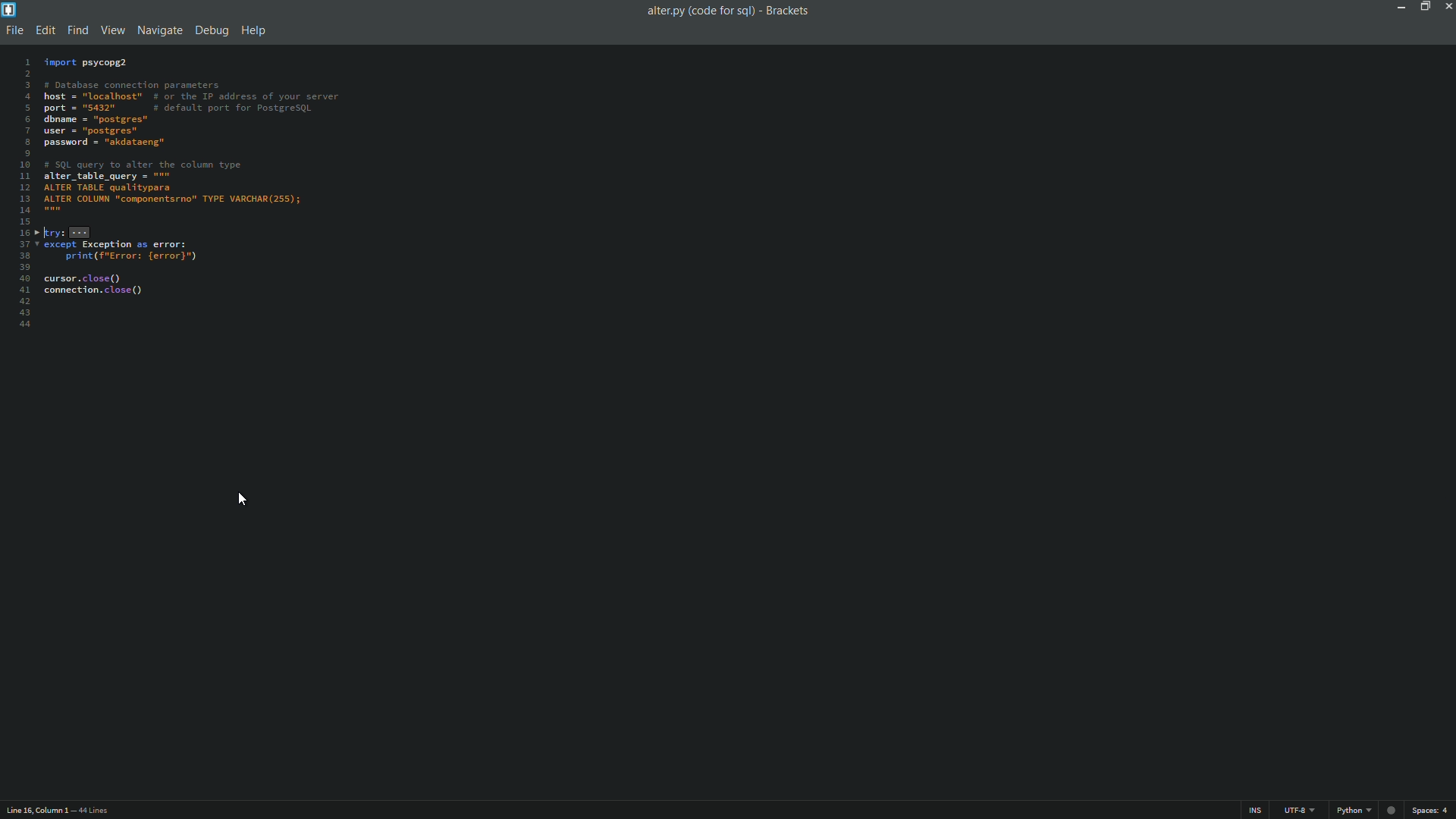  I want to click on navigate menu, so click(158, 32).